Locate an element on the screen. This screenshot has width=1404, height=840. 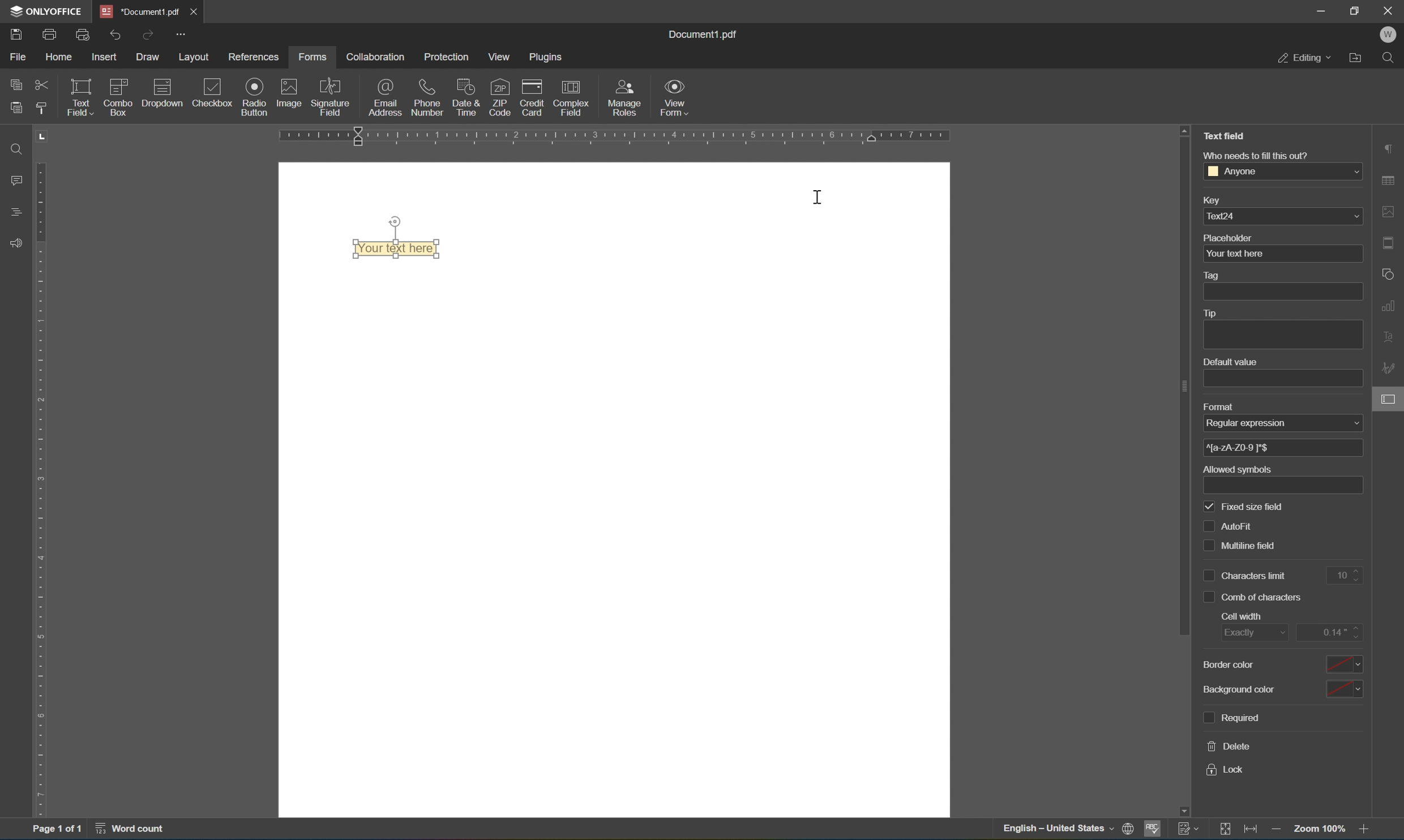
collaboration is located at coordinates (374, 57).